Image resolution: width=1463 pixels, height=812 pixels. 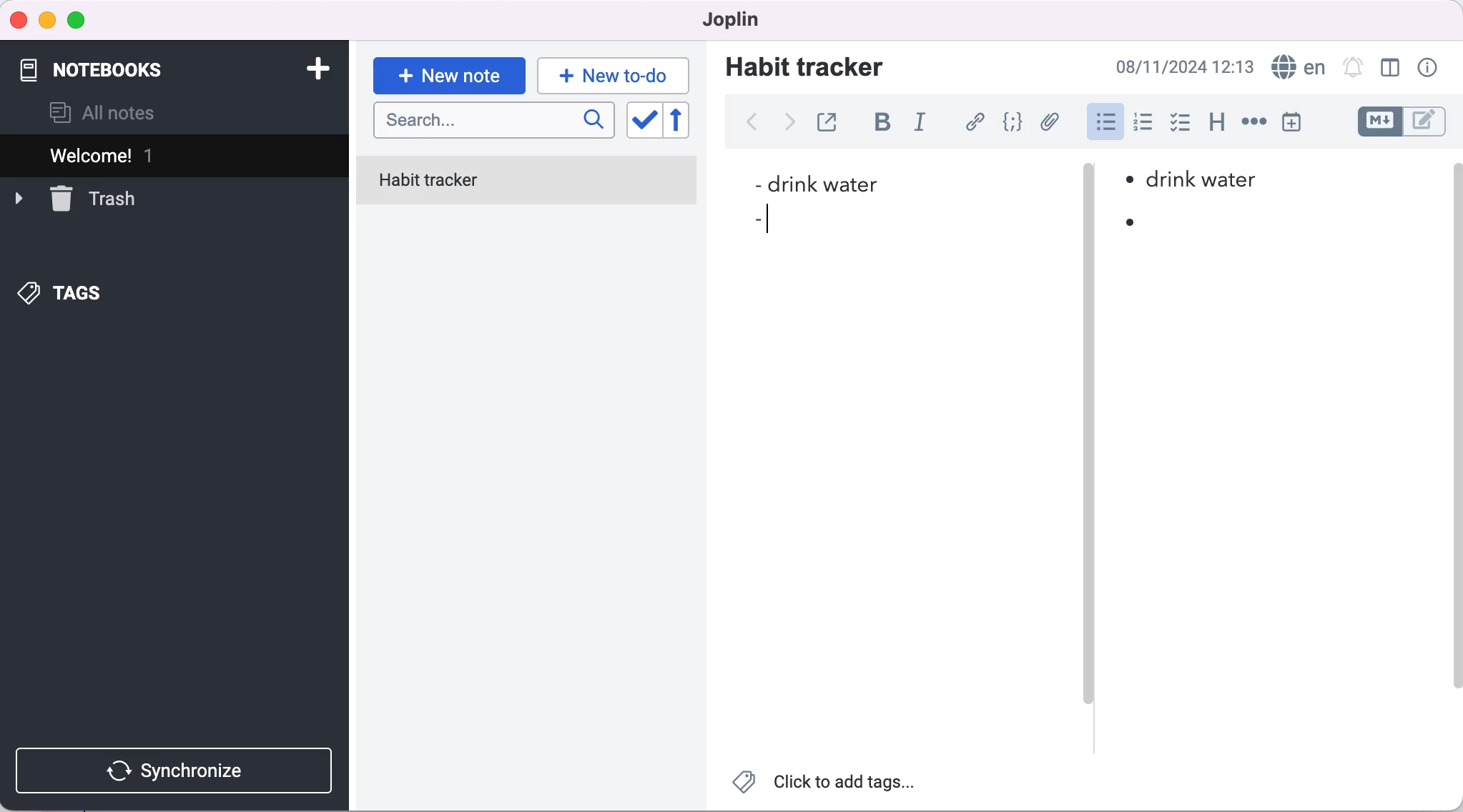 What do you see at coordinates (1103, 122) in the screenshot?
I see `bulleted list` at bounding box center [1103, 122].